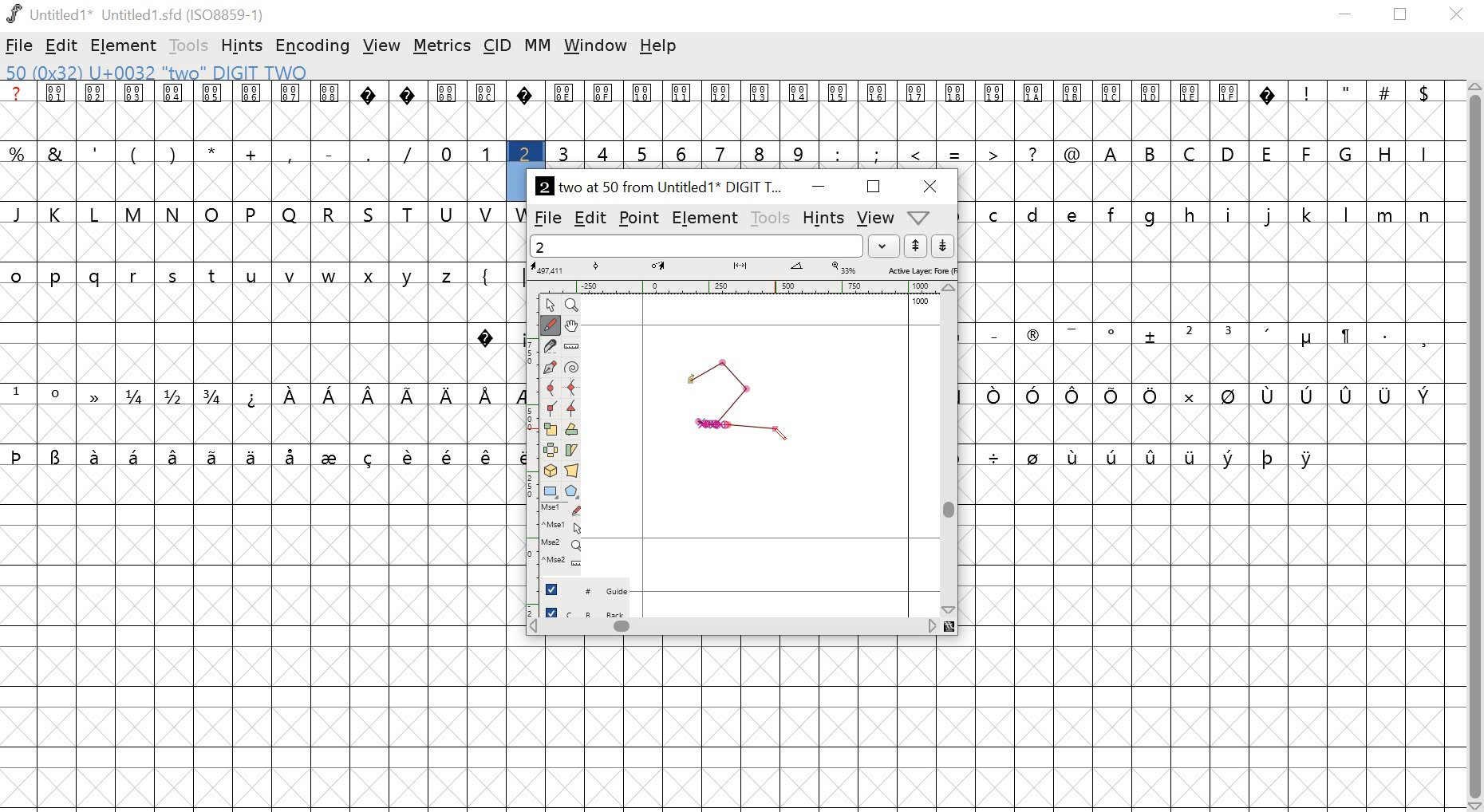 This screenshot has width=1484, height=812. What do you see at coordinates (160, 73) in the screenshot?
I see `50 (0x32) U+0032 "two" DIGIT TWO` at bounding box center [160, 73].